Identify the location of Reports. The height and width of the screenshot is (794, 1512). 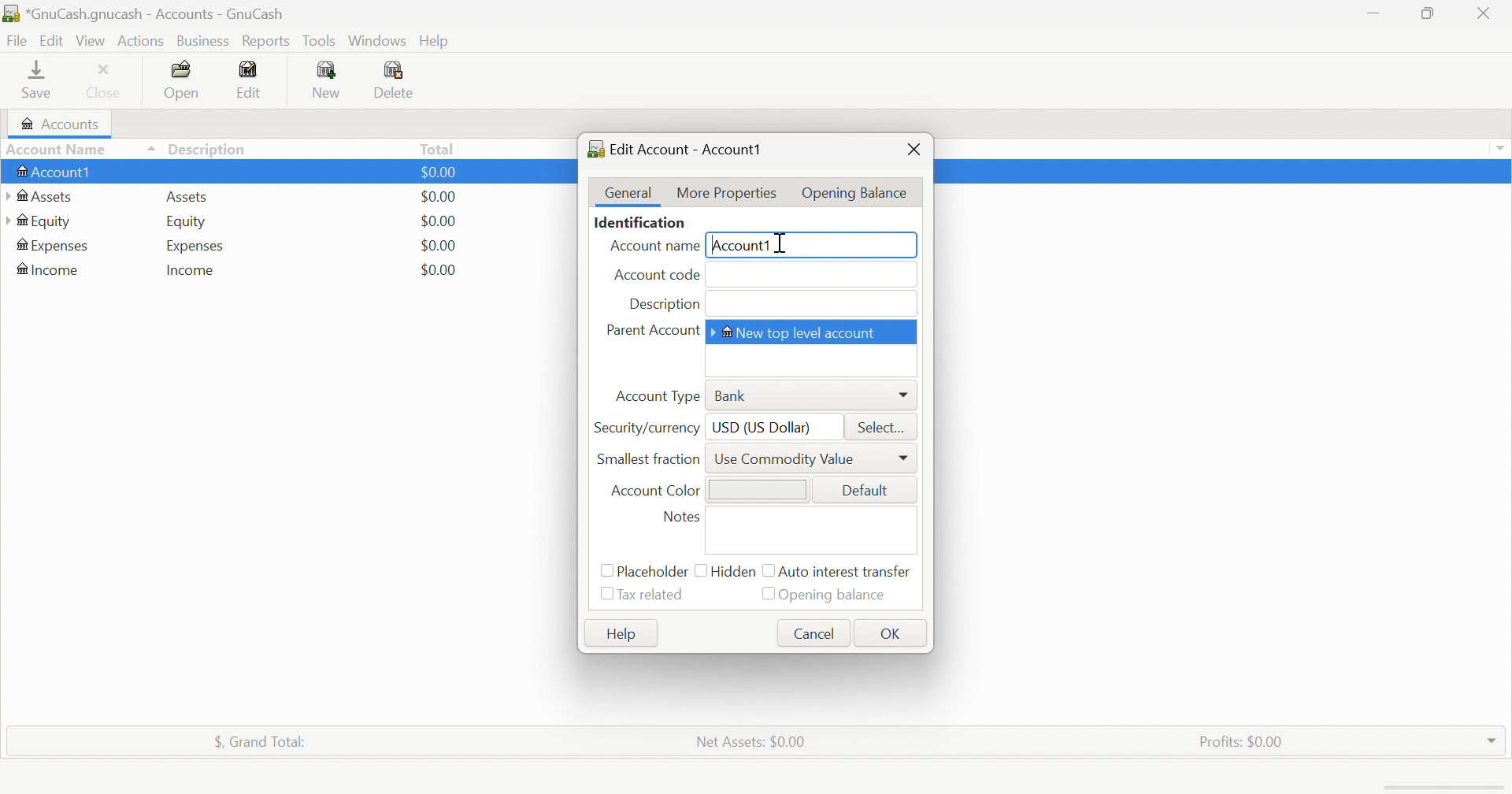
(266, 42).